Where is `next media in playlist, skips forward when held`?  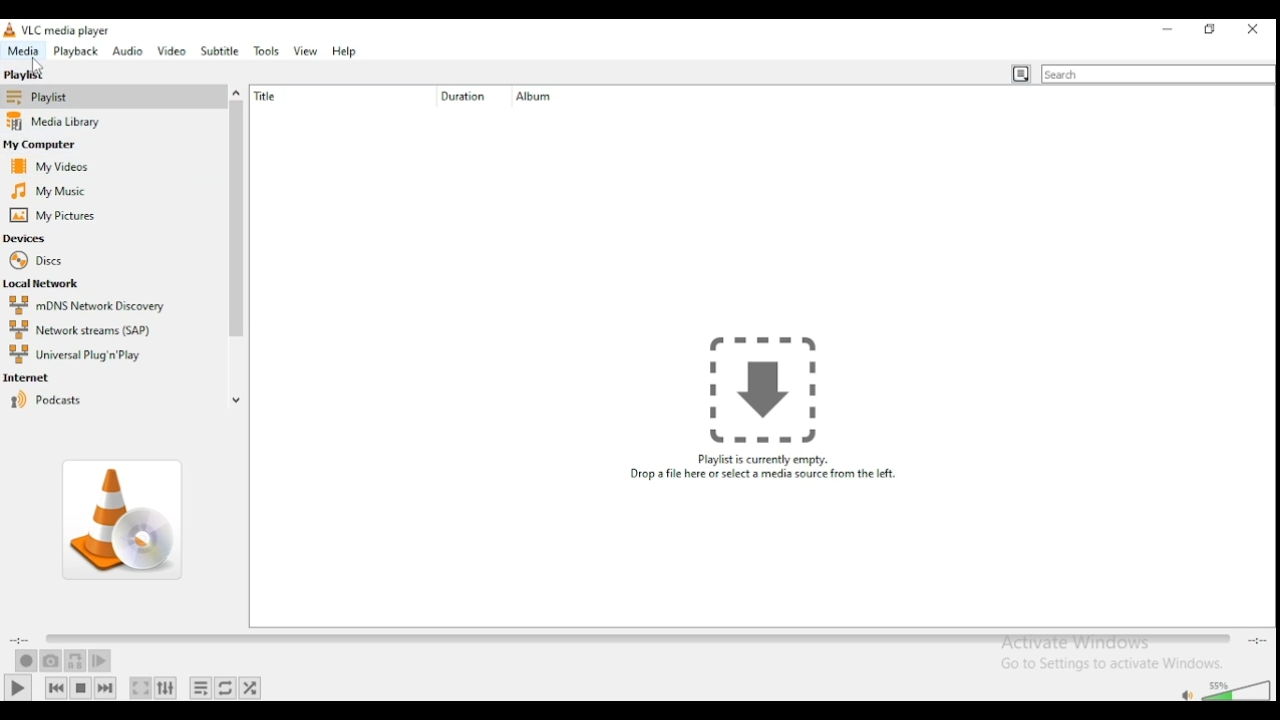
next media in playlist, skips forward when held is located at coordinates (109, 688).